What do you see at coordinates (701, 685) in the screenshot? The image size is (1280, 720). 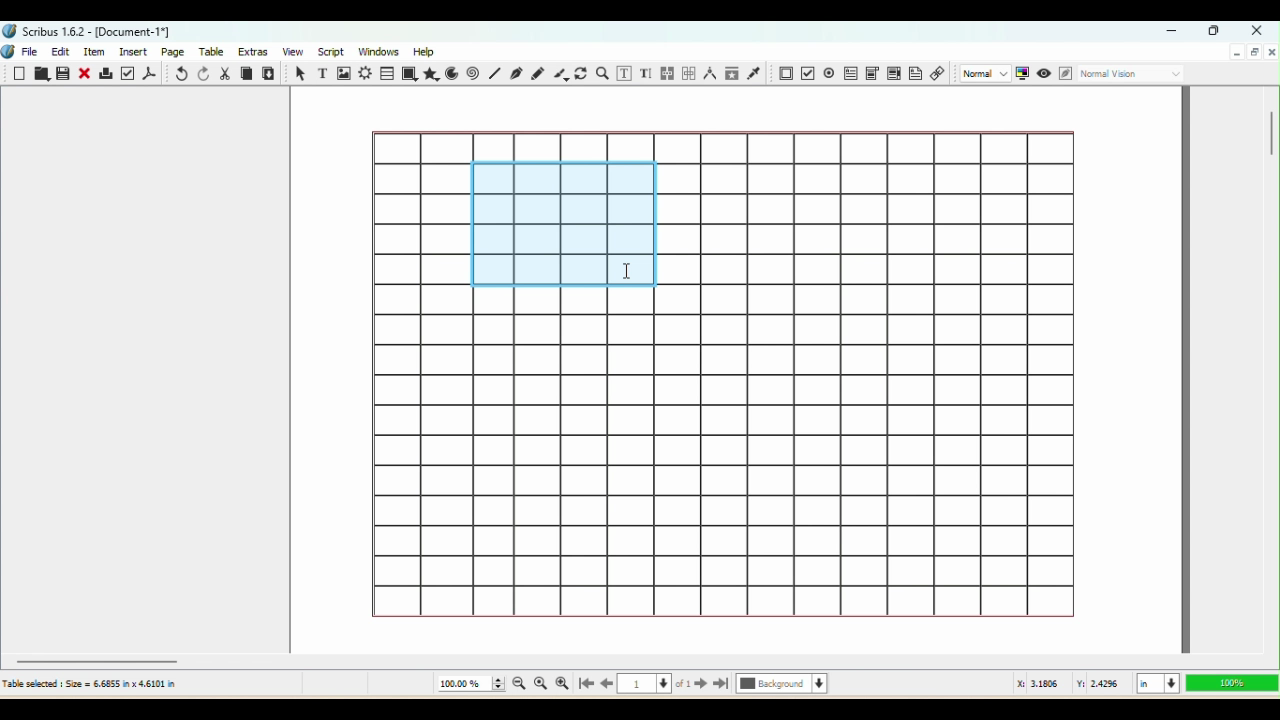 I see `Go to the next page` at bounding box center [701, 685].